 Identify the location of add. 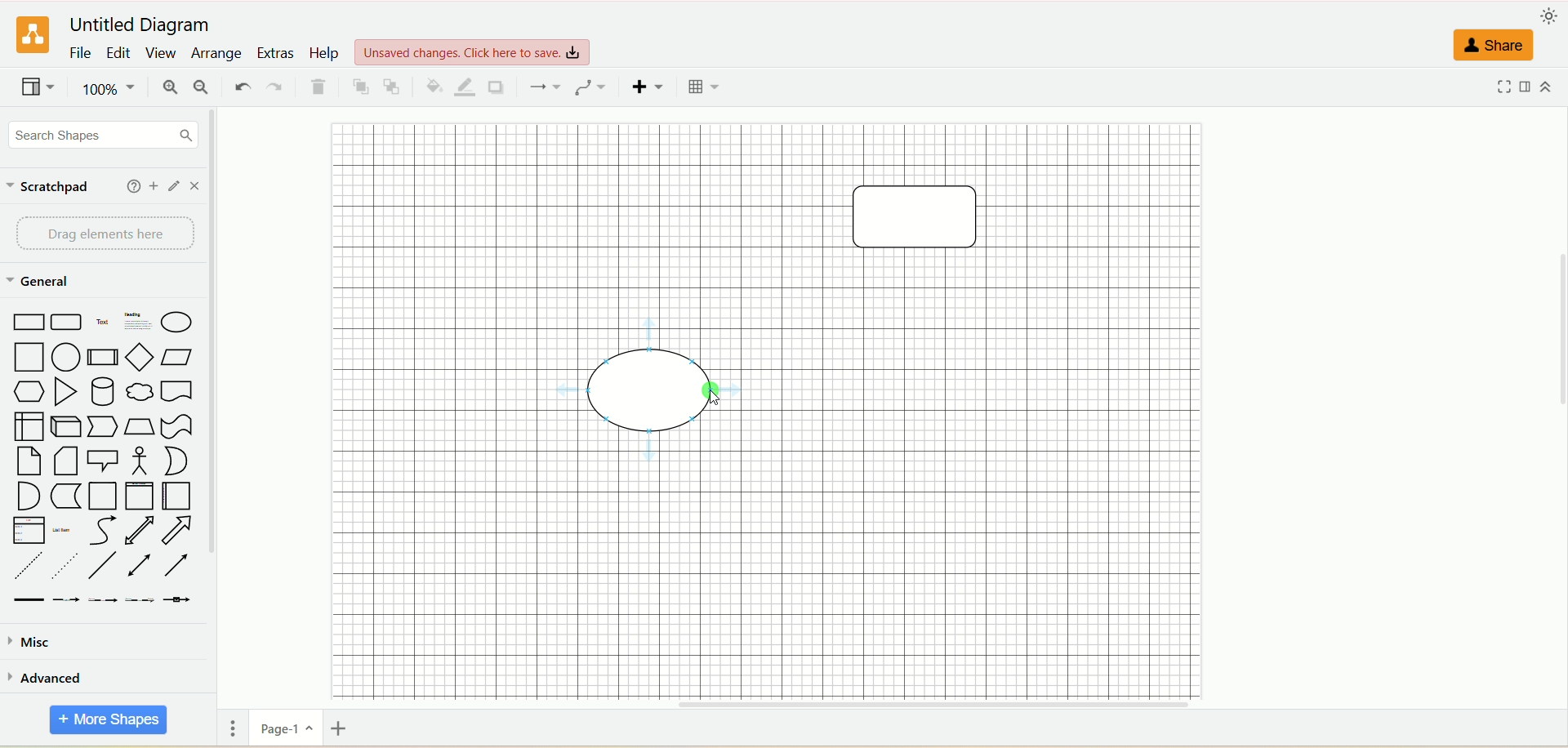
(154, 186).